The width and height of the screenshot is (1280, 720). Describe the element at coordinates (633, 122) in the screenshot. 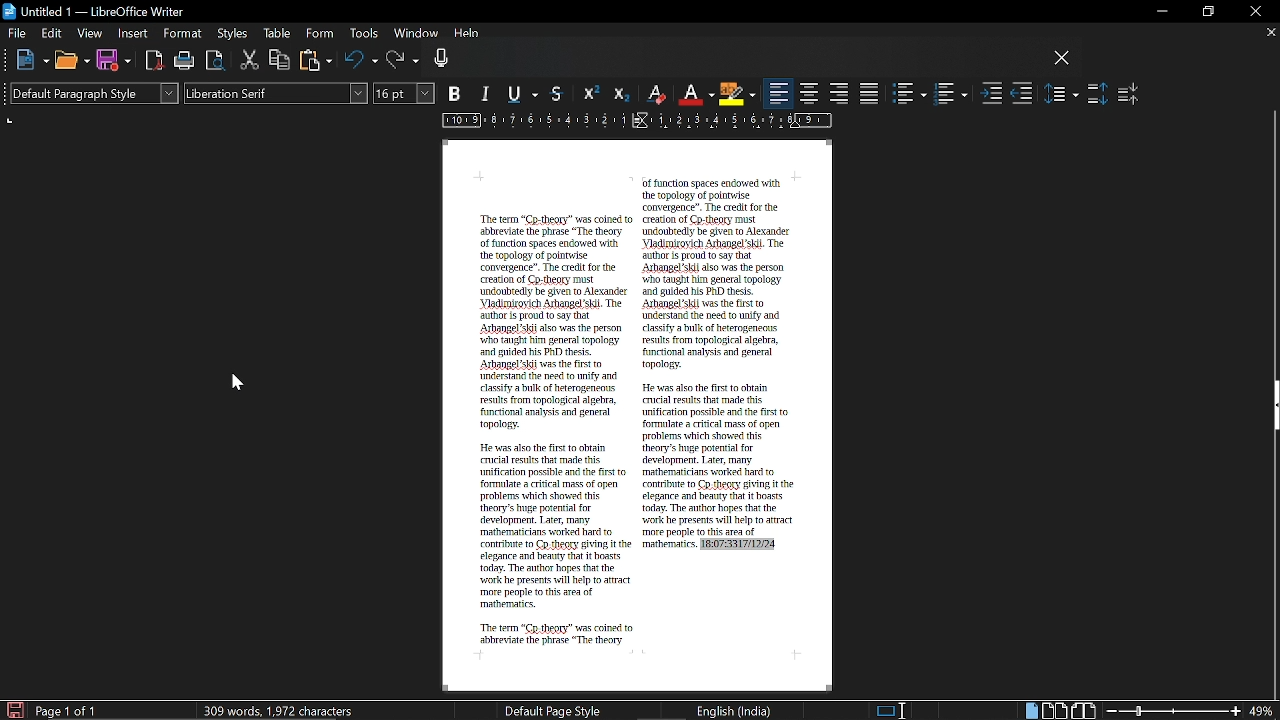

I see `Ruler` at that location.